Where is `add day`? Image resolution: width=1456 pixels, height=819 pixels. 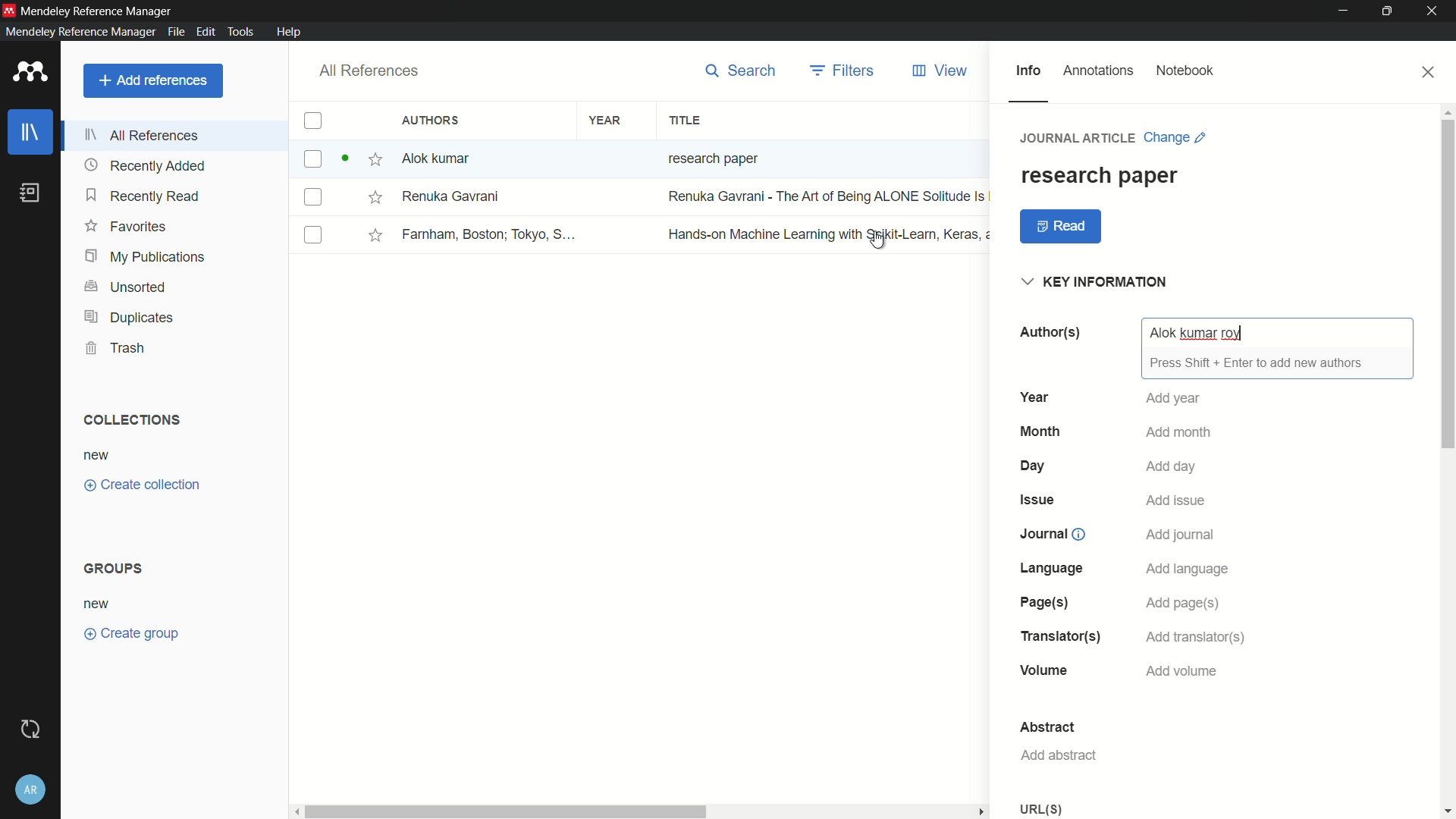
add day is located at coordinates (1172, 466).